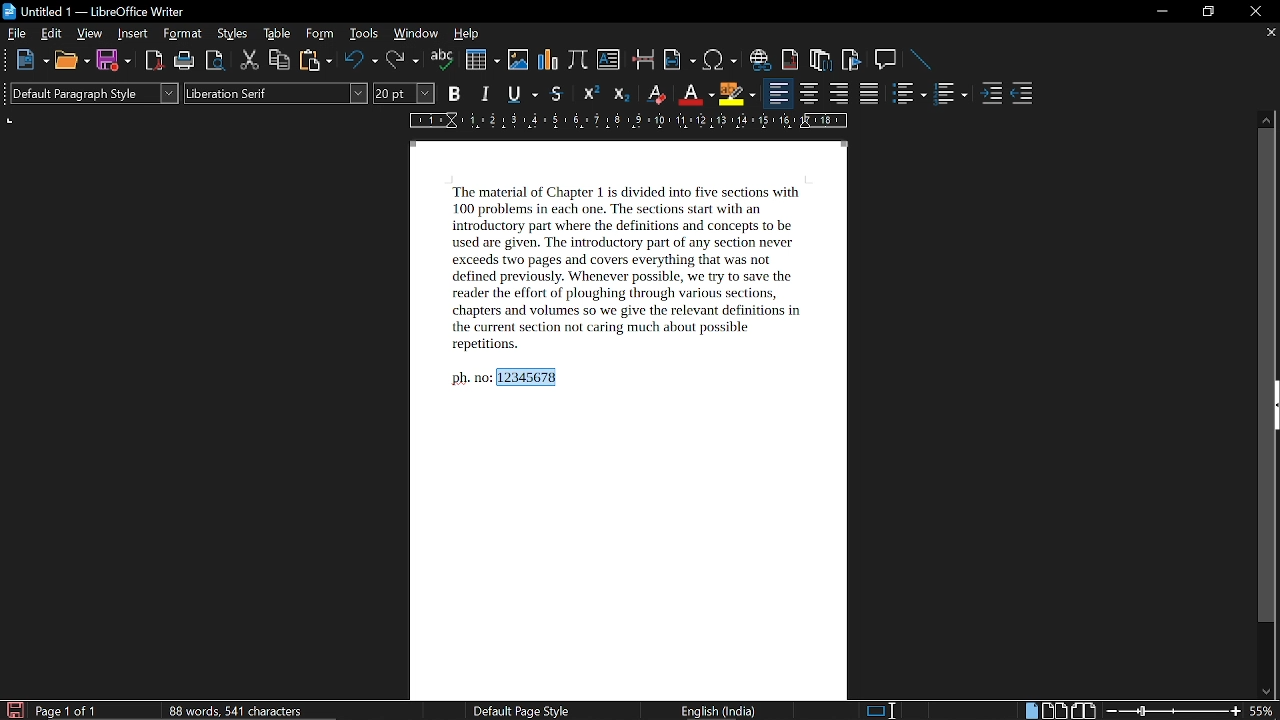  I want to click on align left, so click(777, 95).